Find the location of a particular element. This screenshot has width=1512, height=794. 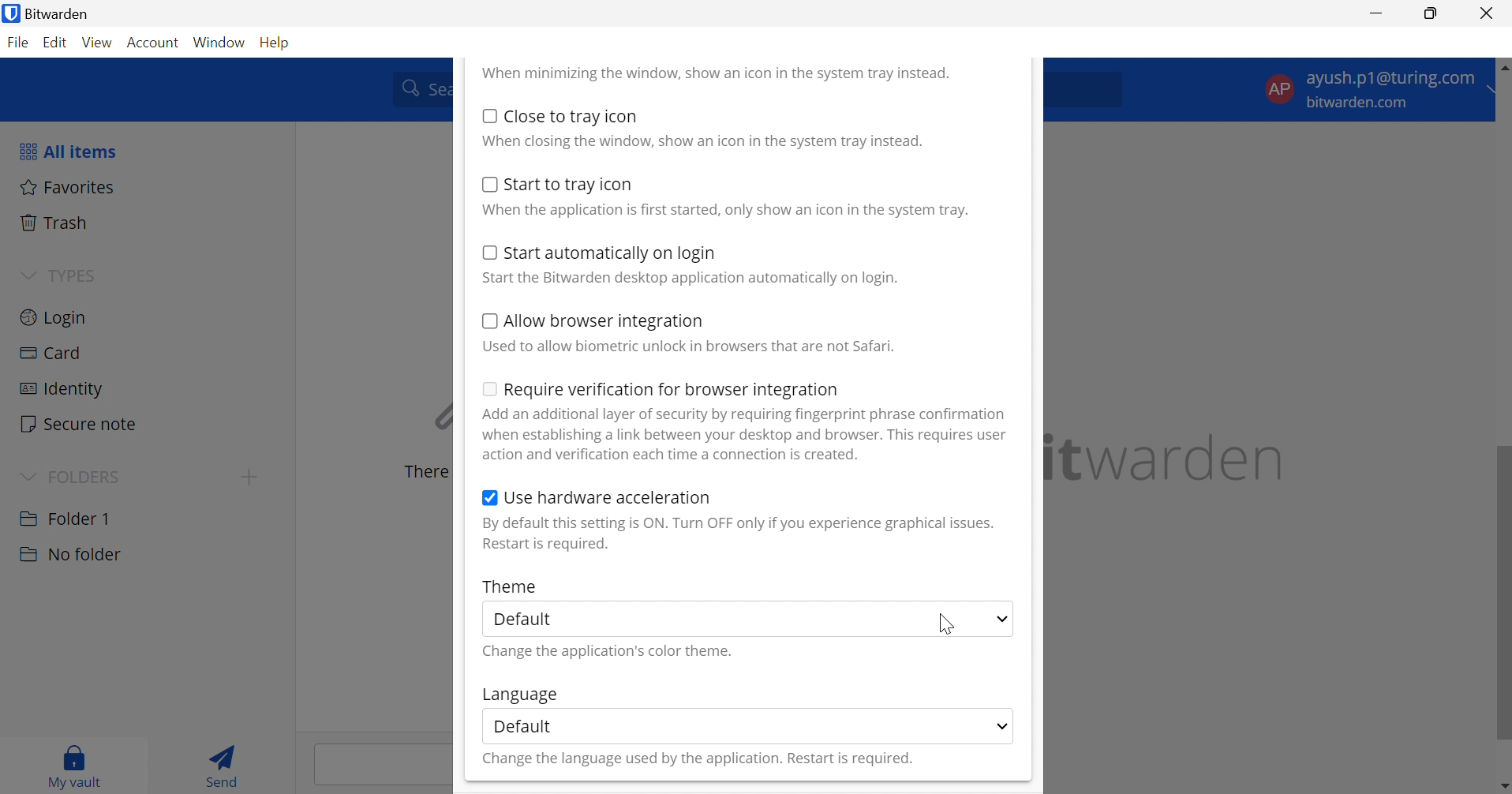

Used to allow biometric unlock in browsers that are not Safari is located at coordinates (688, 346).